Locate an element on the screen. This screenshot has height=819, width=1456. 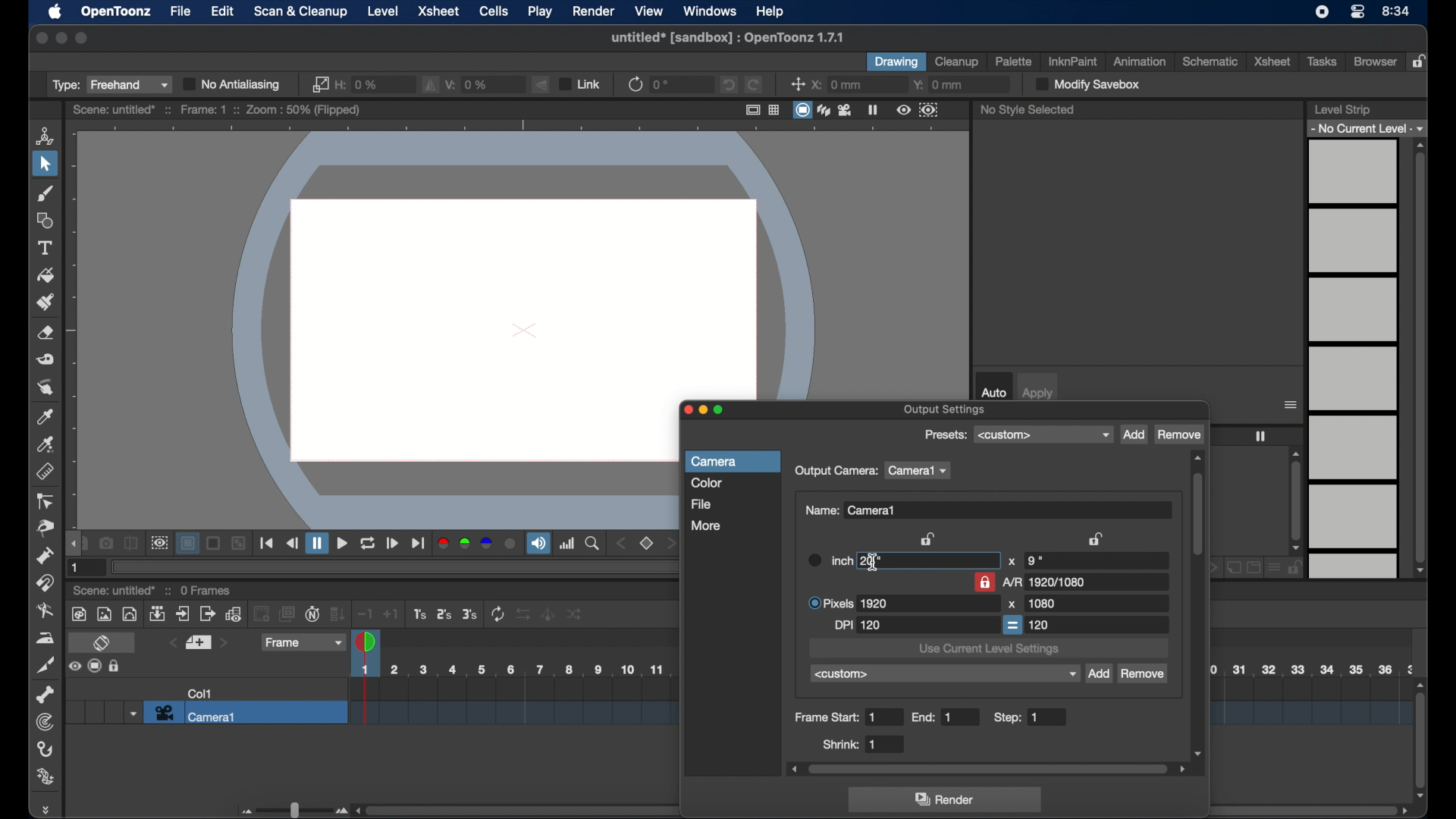
level is located at coordinates (383, 11).